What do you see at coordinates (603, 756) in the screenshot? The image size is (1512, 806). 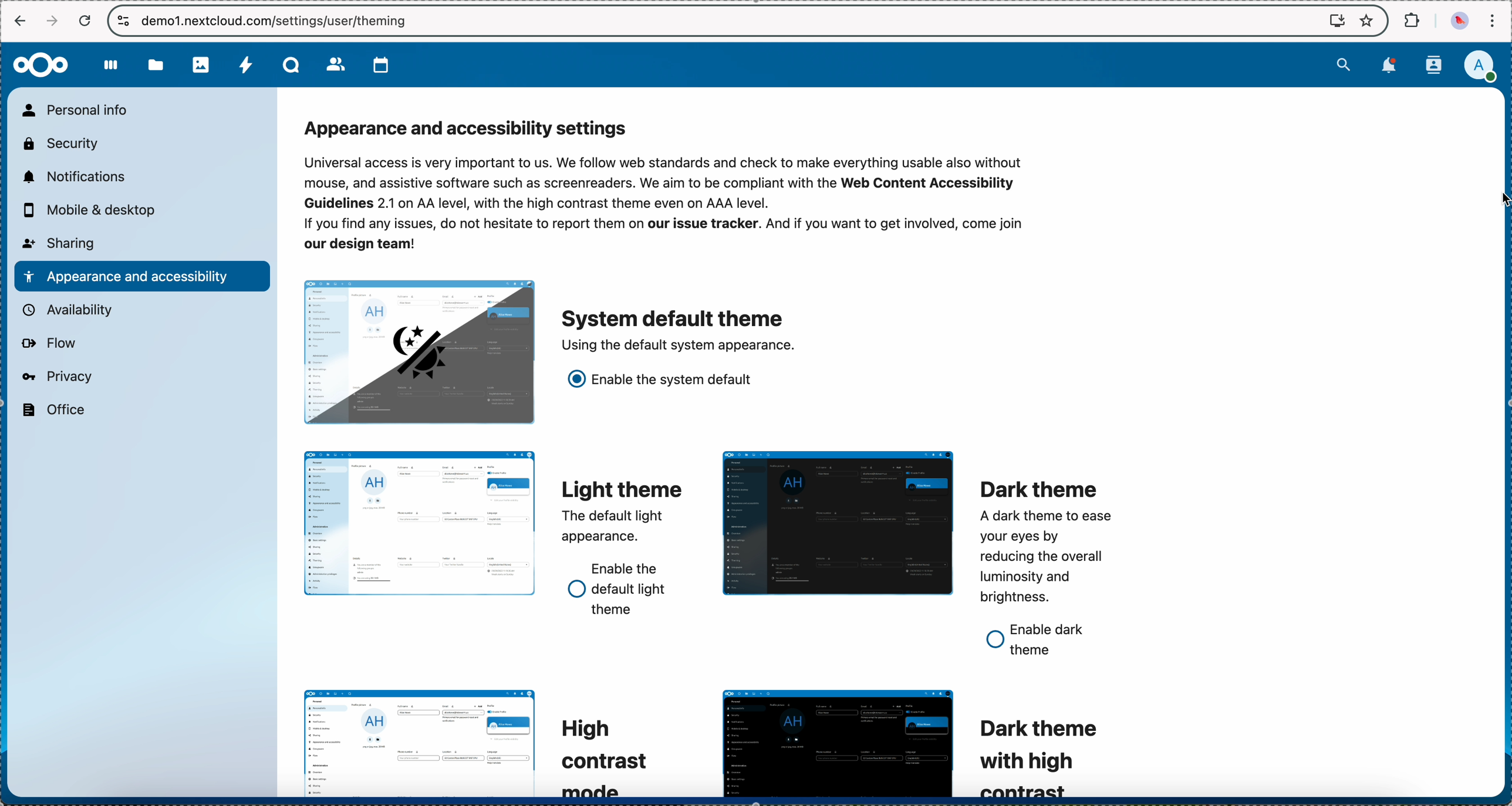 I see `high contrast mode` at bounding box center [603, 756].